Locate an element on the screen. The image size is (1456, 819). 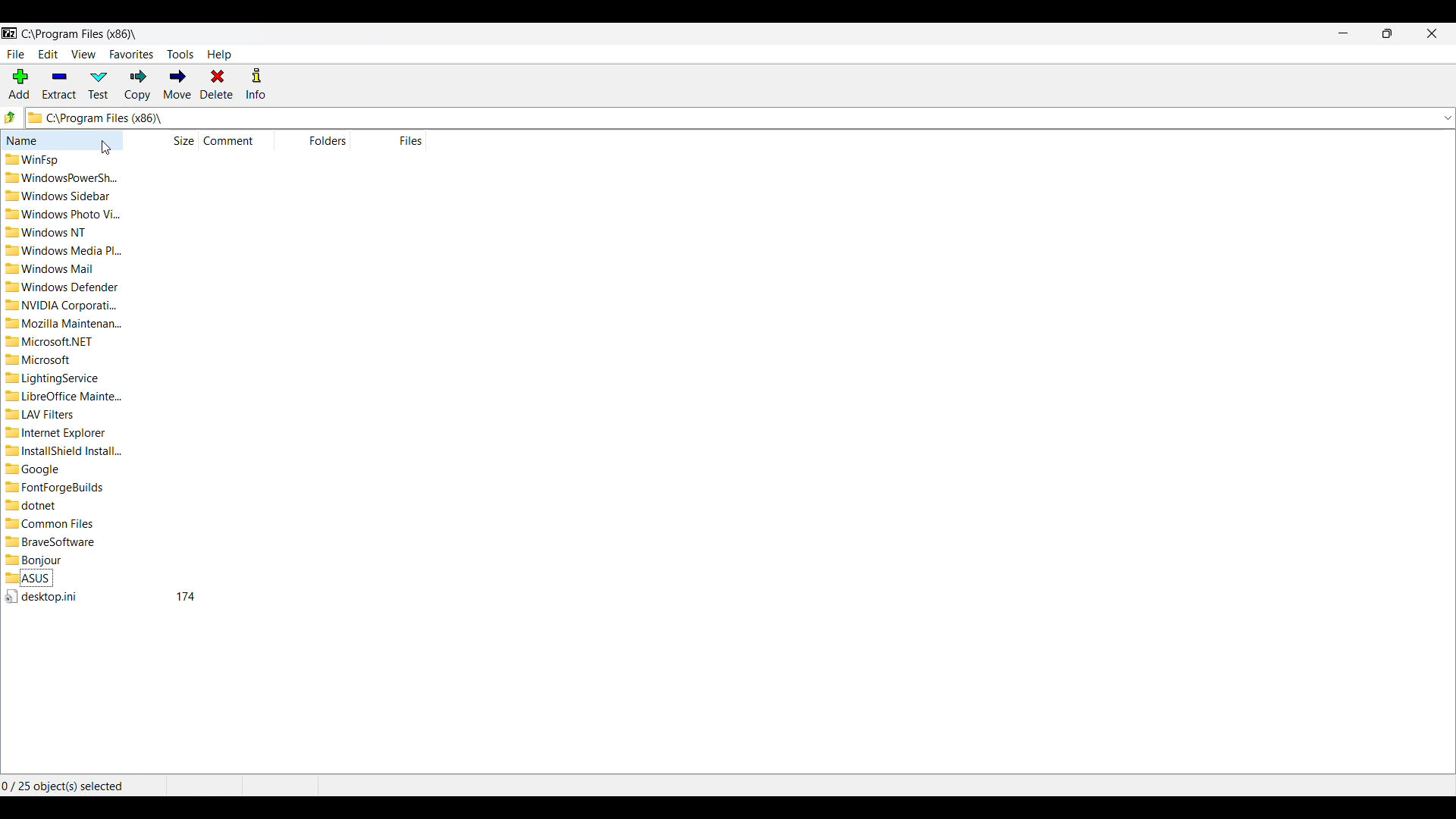
dotnet is located at coordinates (42, 506).